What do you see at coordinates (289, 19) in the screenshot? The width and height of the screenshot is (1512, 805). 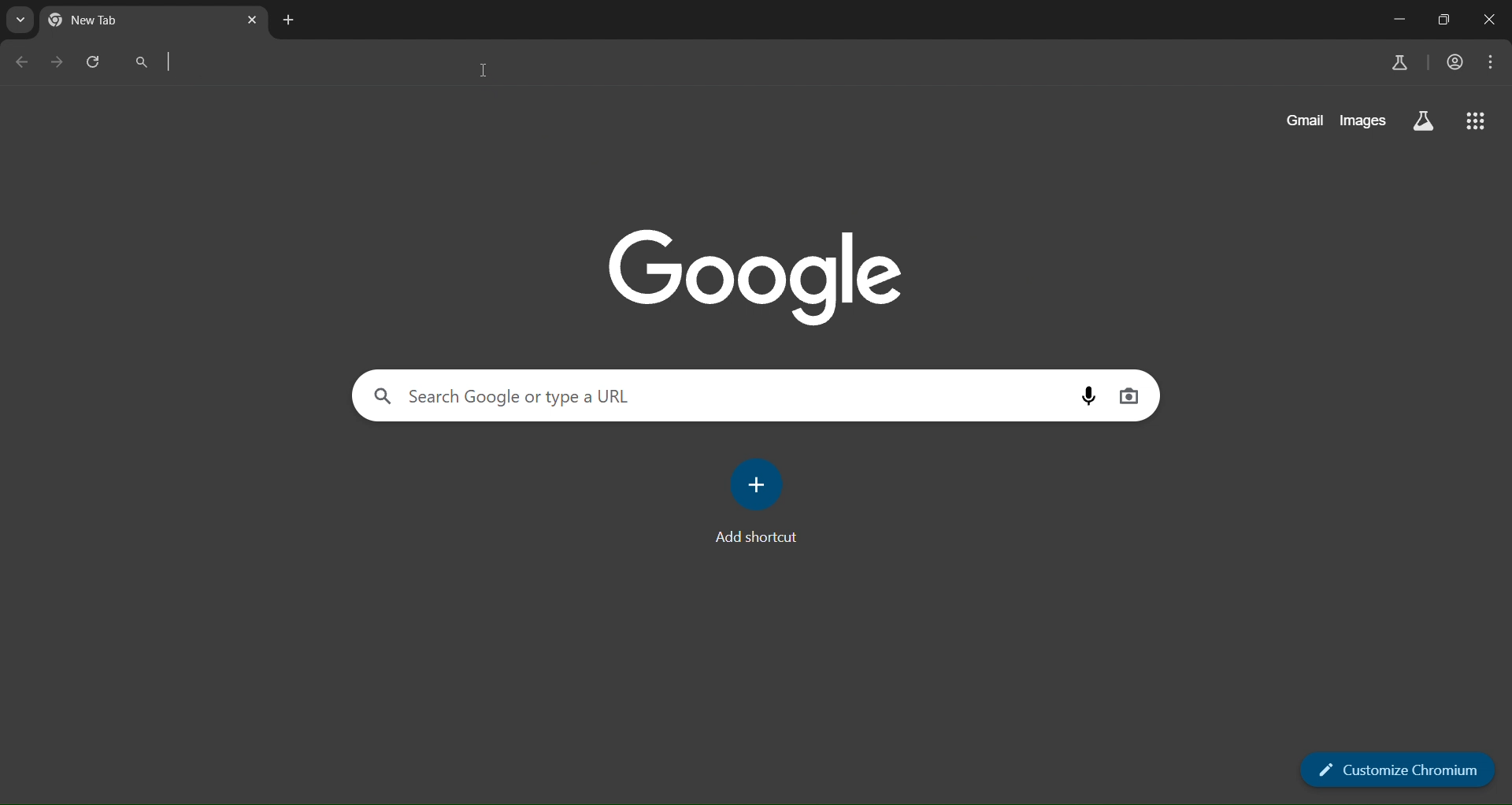 I see `new tab` at bounding box center [289, 19].